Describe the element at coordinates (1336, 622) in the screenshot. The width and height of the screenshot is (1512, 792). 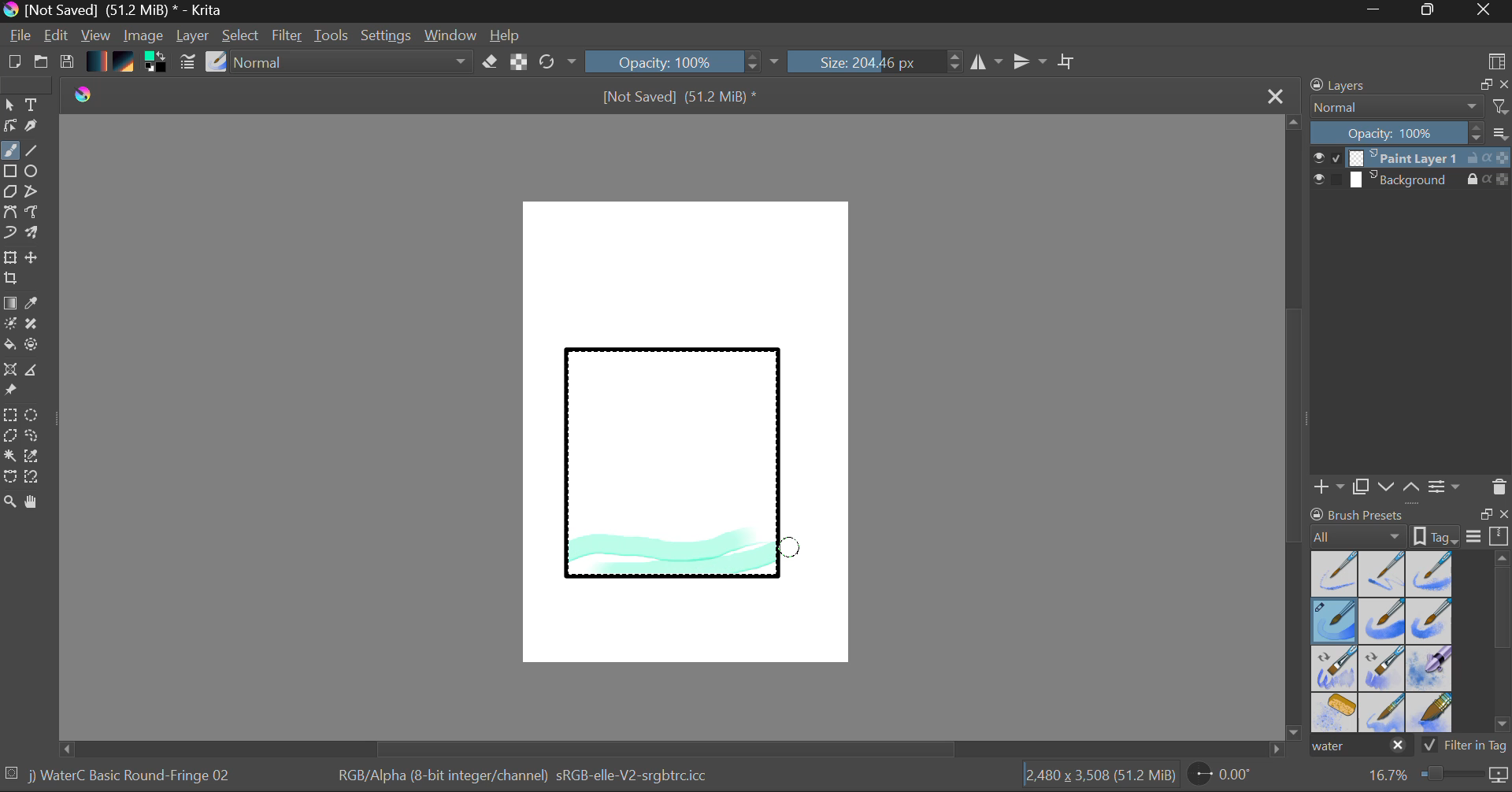
I see `Brush Selected` at that location.